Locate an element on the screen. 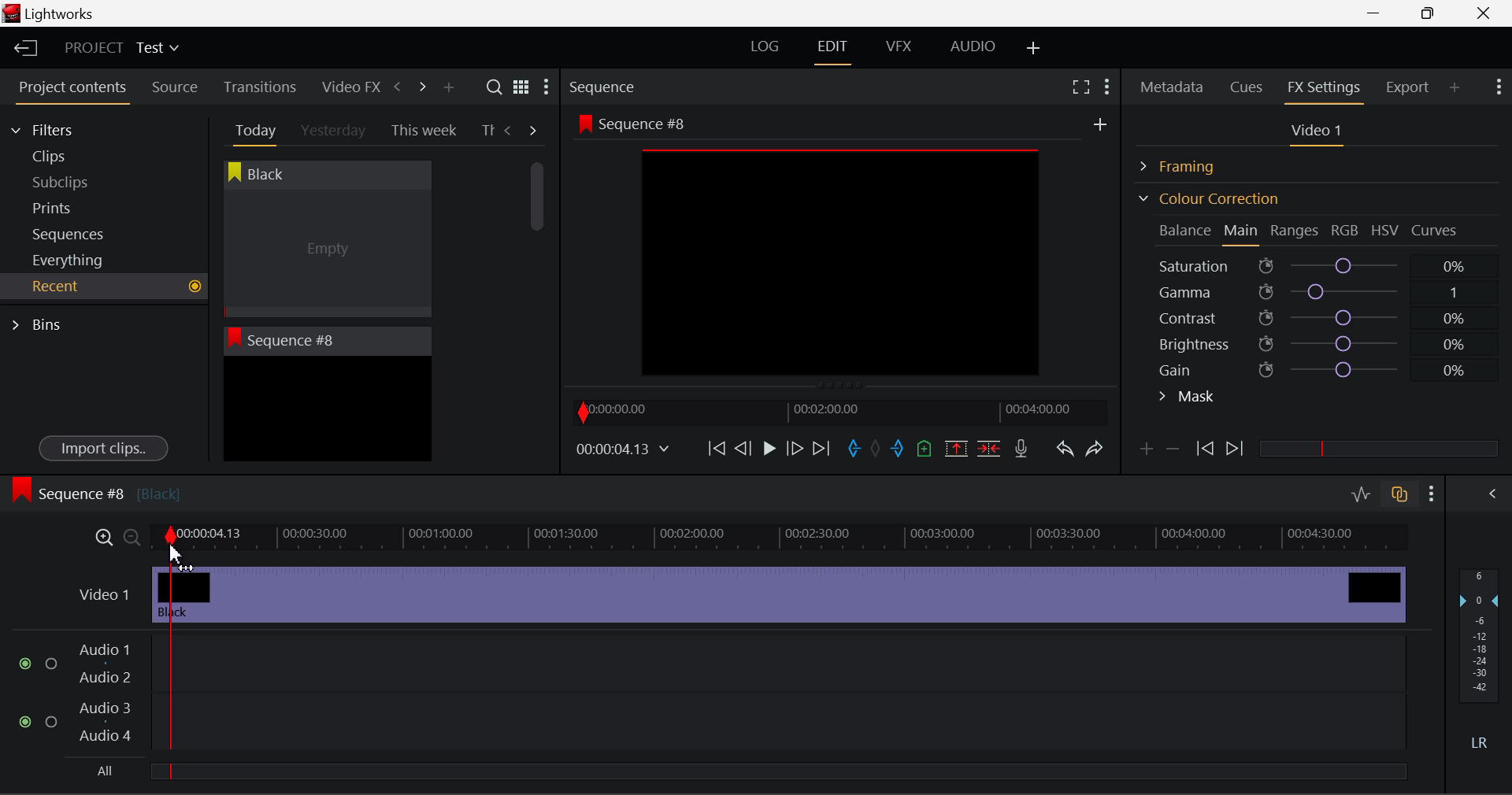 The height and width of the screenshot is (795, 1512). Previous Tab is located at coordinates (510, 130).